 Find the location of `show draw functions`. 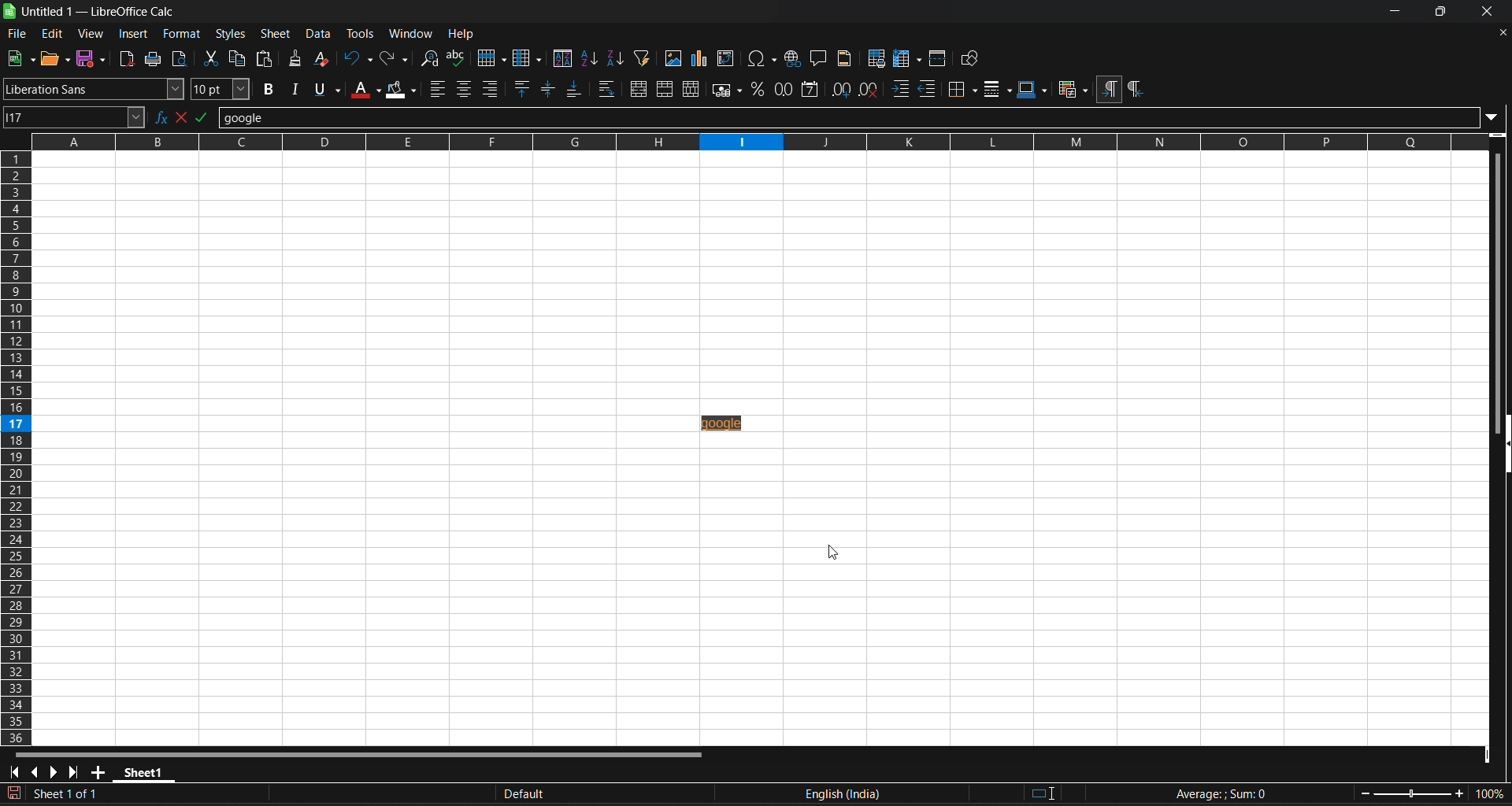

show draw functions is located at coordinates (973, 58).